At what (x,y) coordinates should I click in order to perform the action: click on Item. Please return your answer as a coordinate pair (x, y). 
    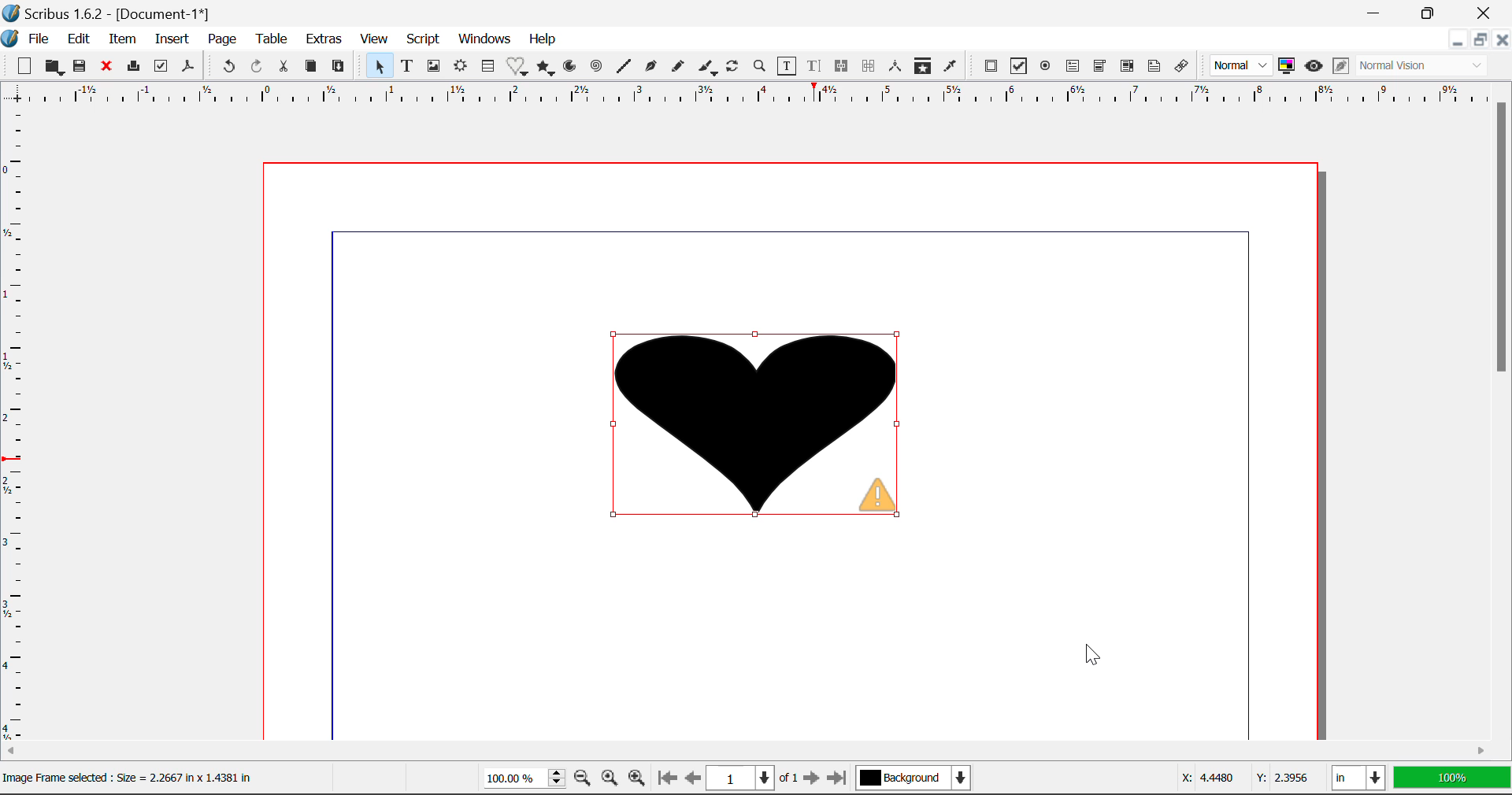
    Looking at the image, I should click on (123, 40).